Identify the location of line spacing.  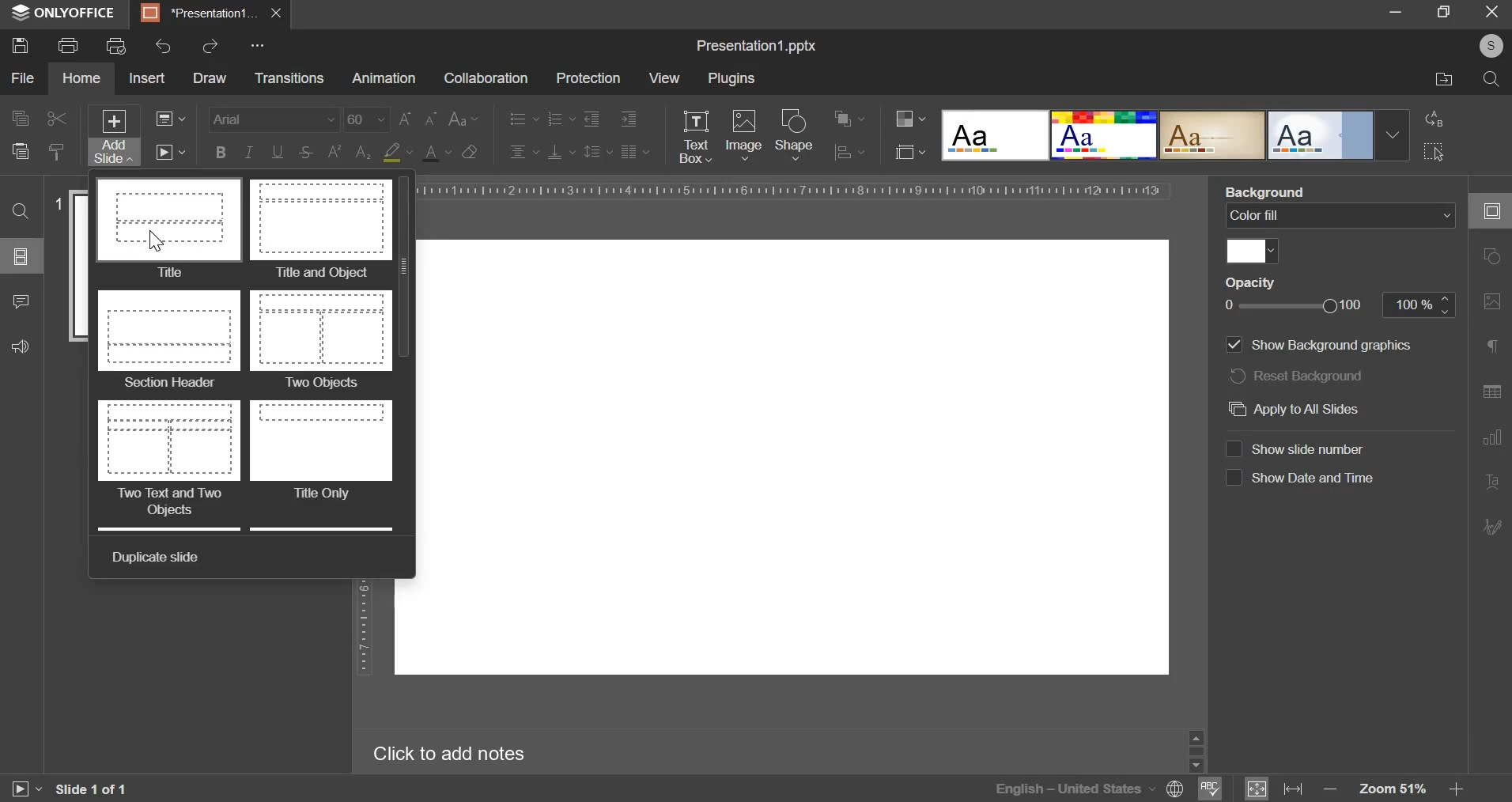
(599, 150).